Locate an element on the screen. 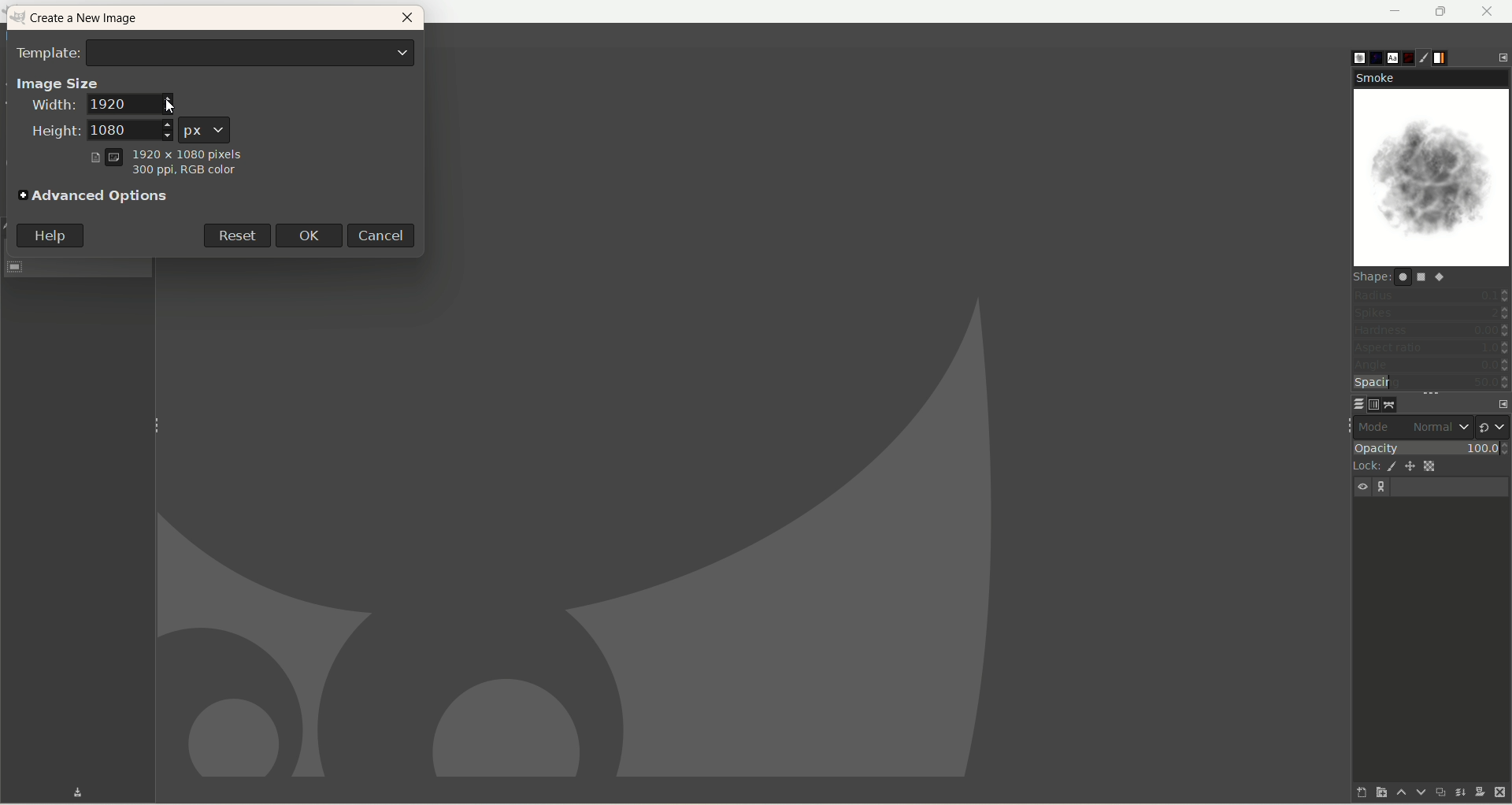  add a mask is located at coordinates (1478, 792).